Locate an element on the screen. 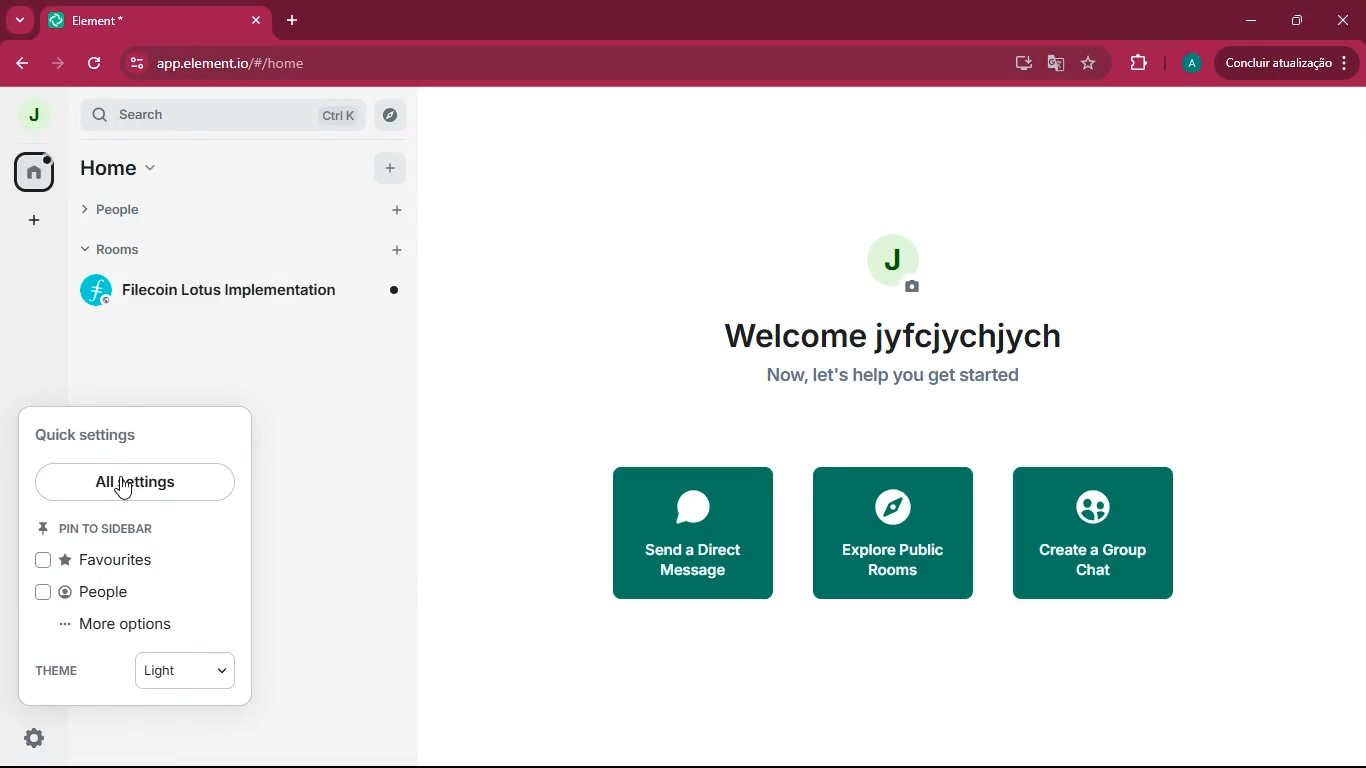  desktop is located at coordinates (1019, 64).